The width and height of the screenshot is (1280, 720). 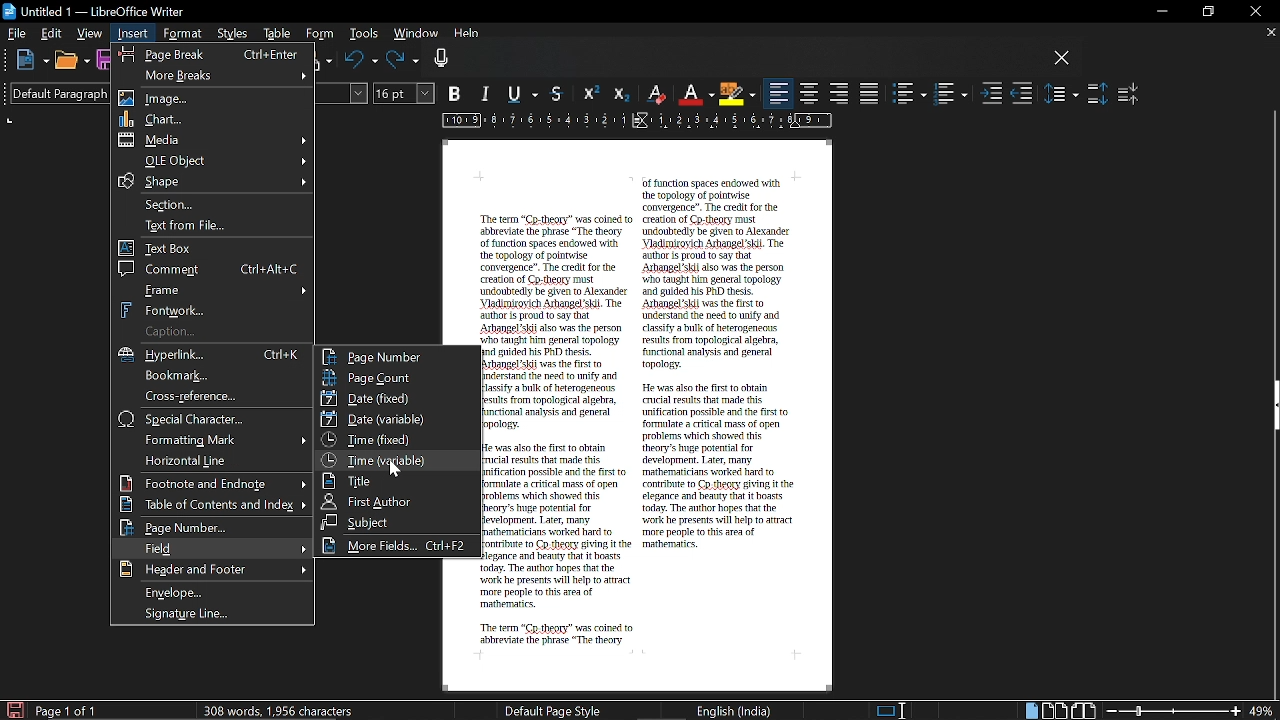 What do you see at coordinates (215, 592) in the screenshot?
I see `Envelope` at bounding box center [215, 592].